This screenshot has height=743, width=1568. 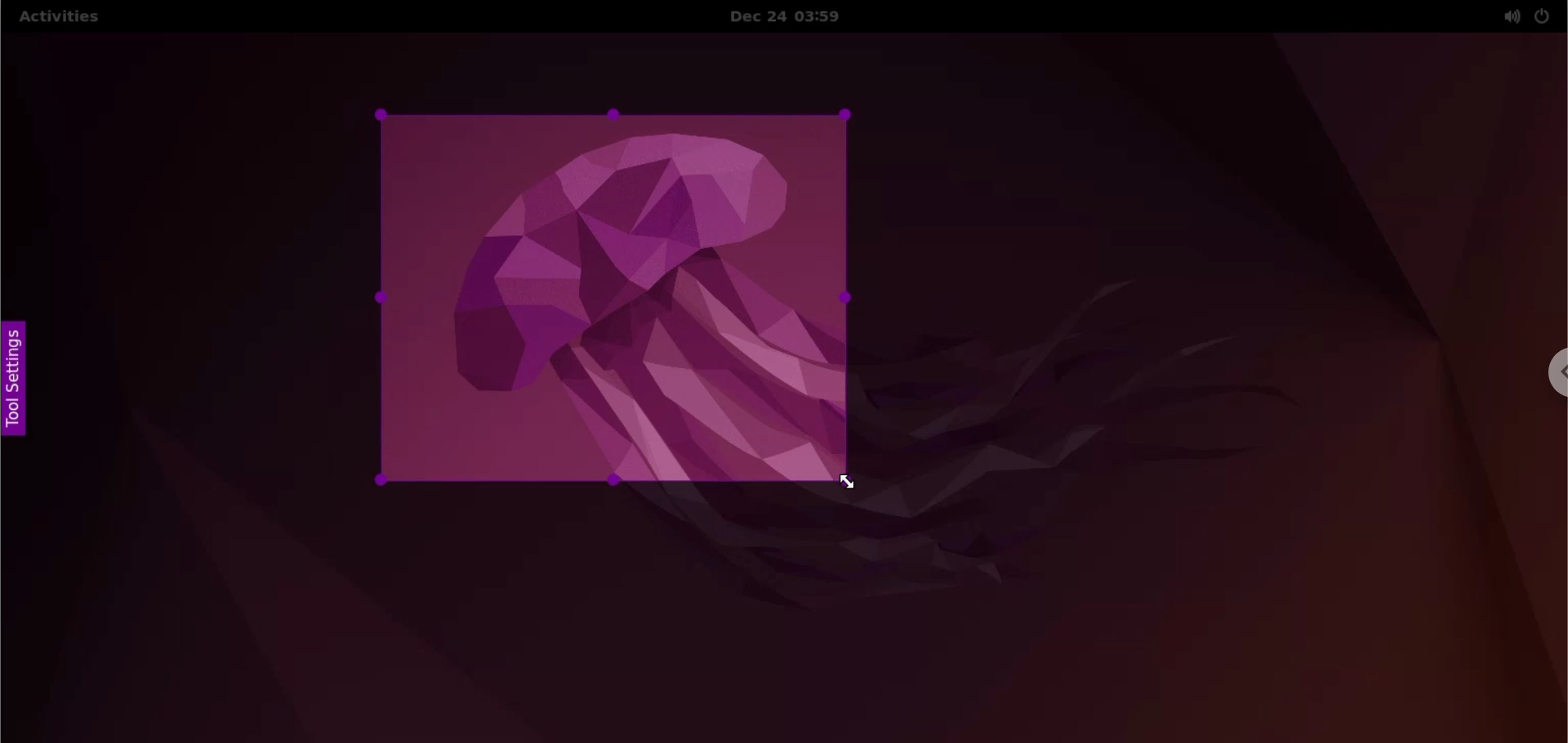 I want to click on sound options , so click(x=1508, y=17).